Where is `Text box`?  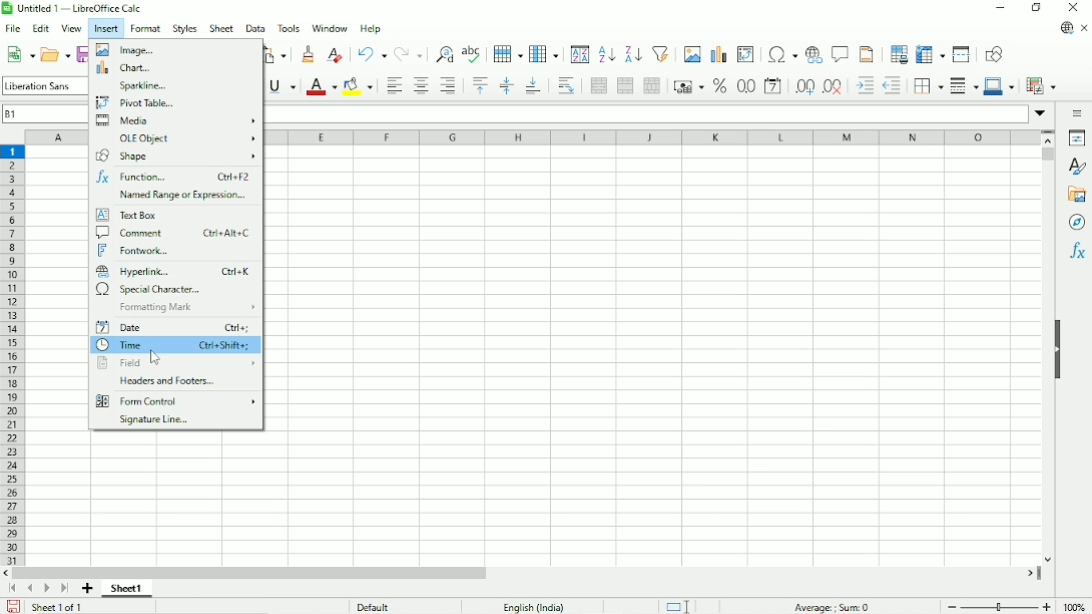 Text box is located at coordinates (127, 215).